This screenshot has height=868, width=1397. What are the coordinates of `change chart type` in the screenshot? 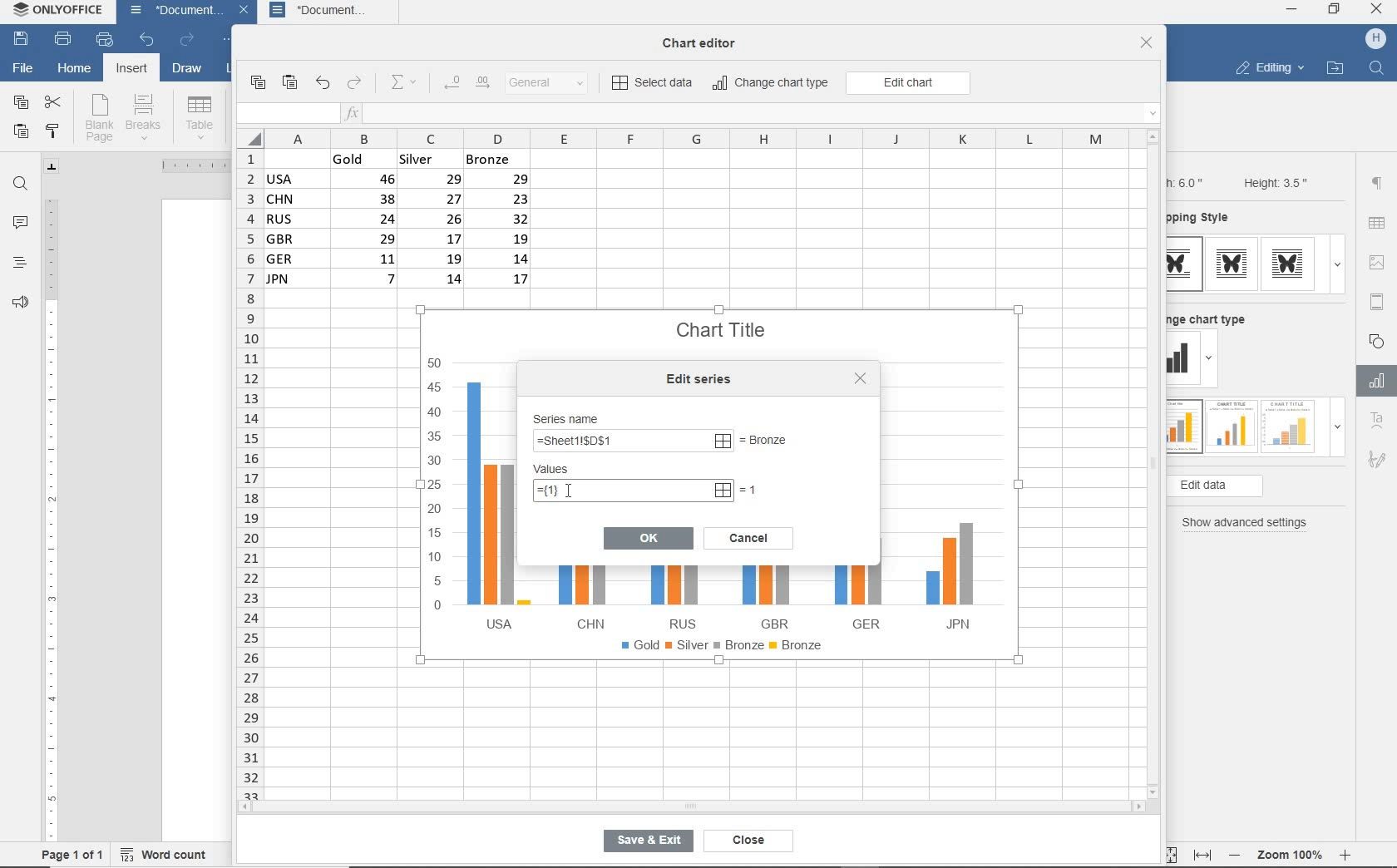 It's located at (772, 84).